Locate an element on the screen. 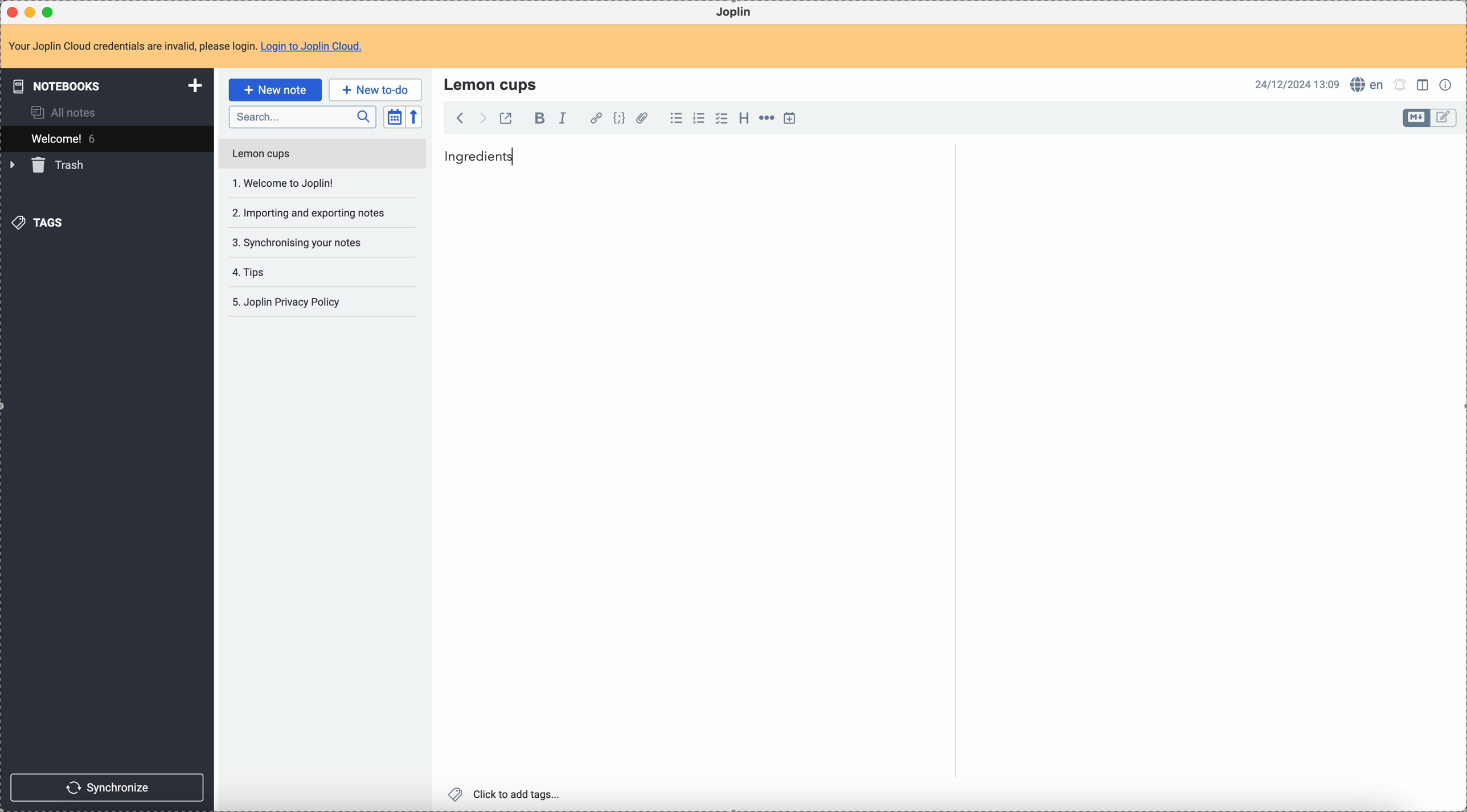 Image resolution: width=1467 pixels, height=812 pixels. attach file is located at coordinates (640, 119).